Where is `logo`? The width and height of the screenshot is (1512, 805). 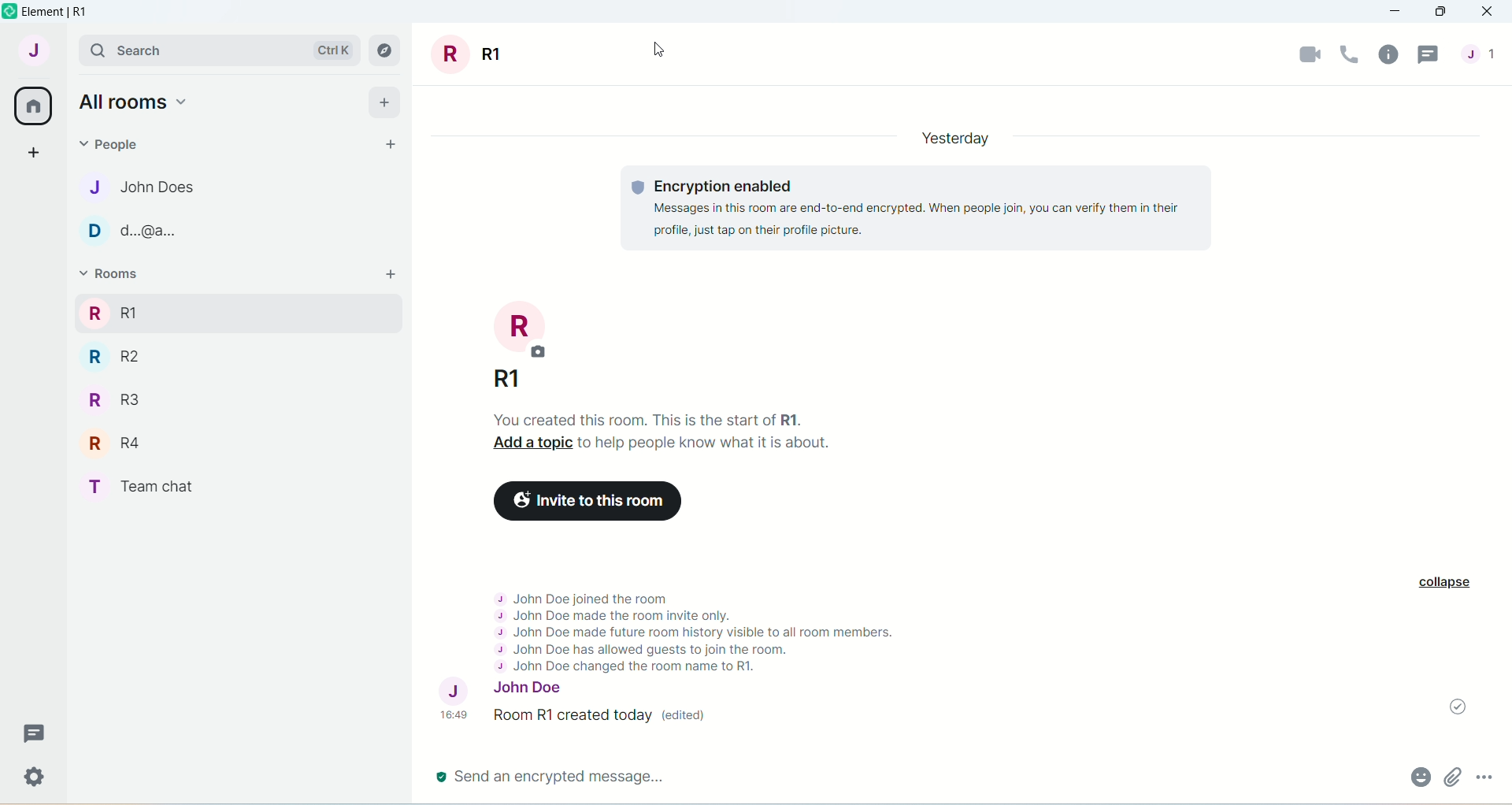
logo is located at coordinates (9, 13).